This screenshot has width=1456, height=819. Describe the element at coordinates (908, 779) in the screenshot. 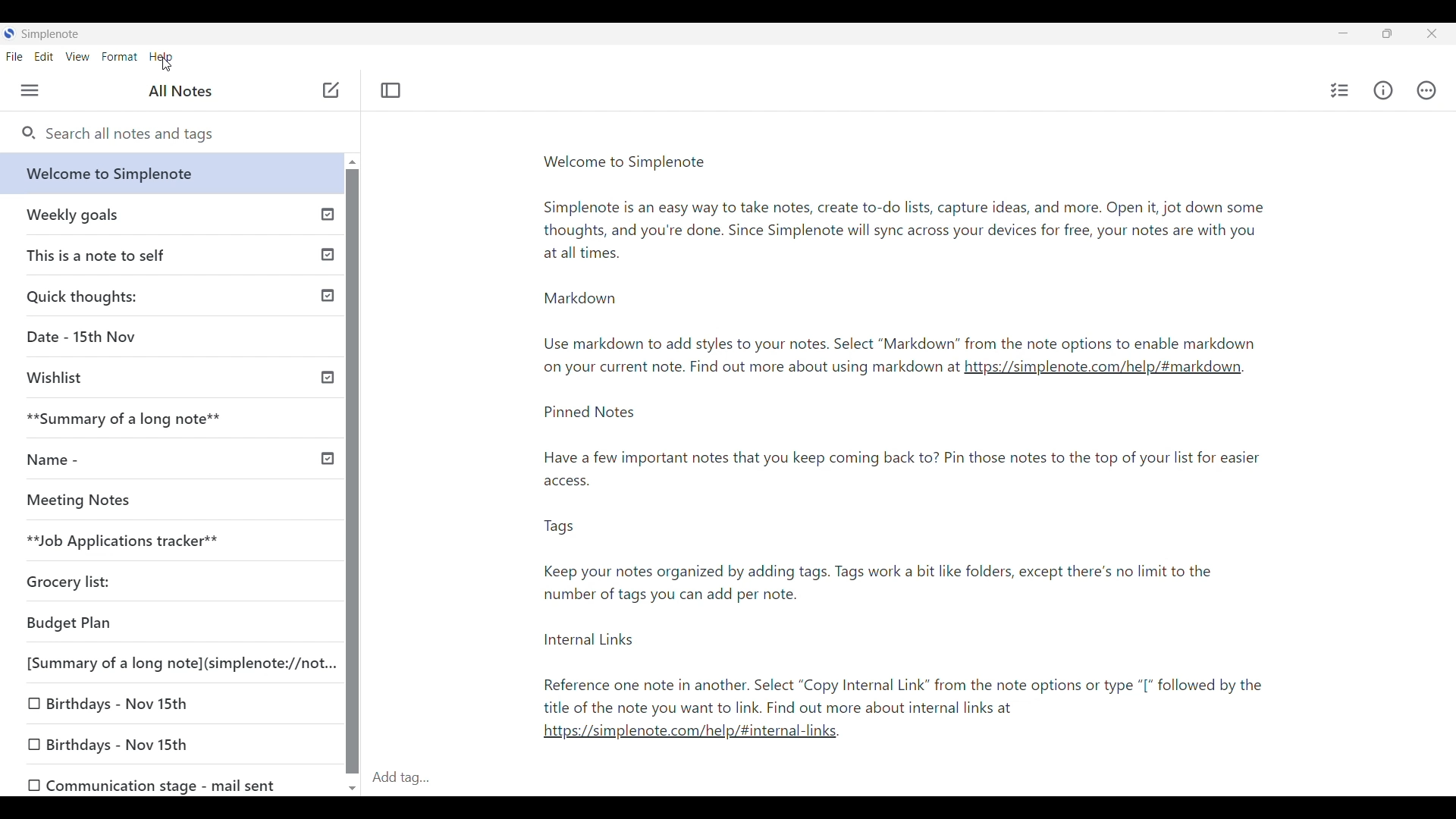

I see `Click to type in tags` at that location.